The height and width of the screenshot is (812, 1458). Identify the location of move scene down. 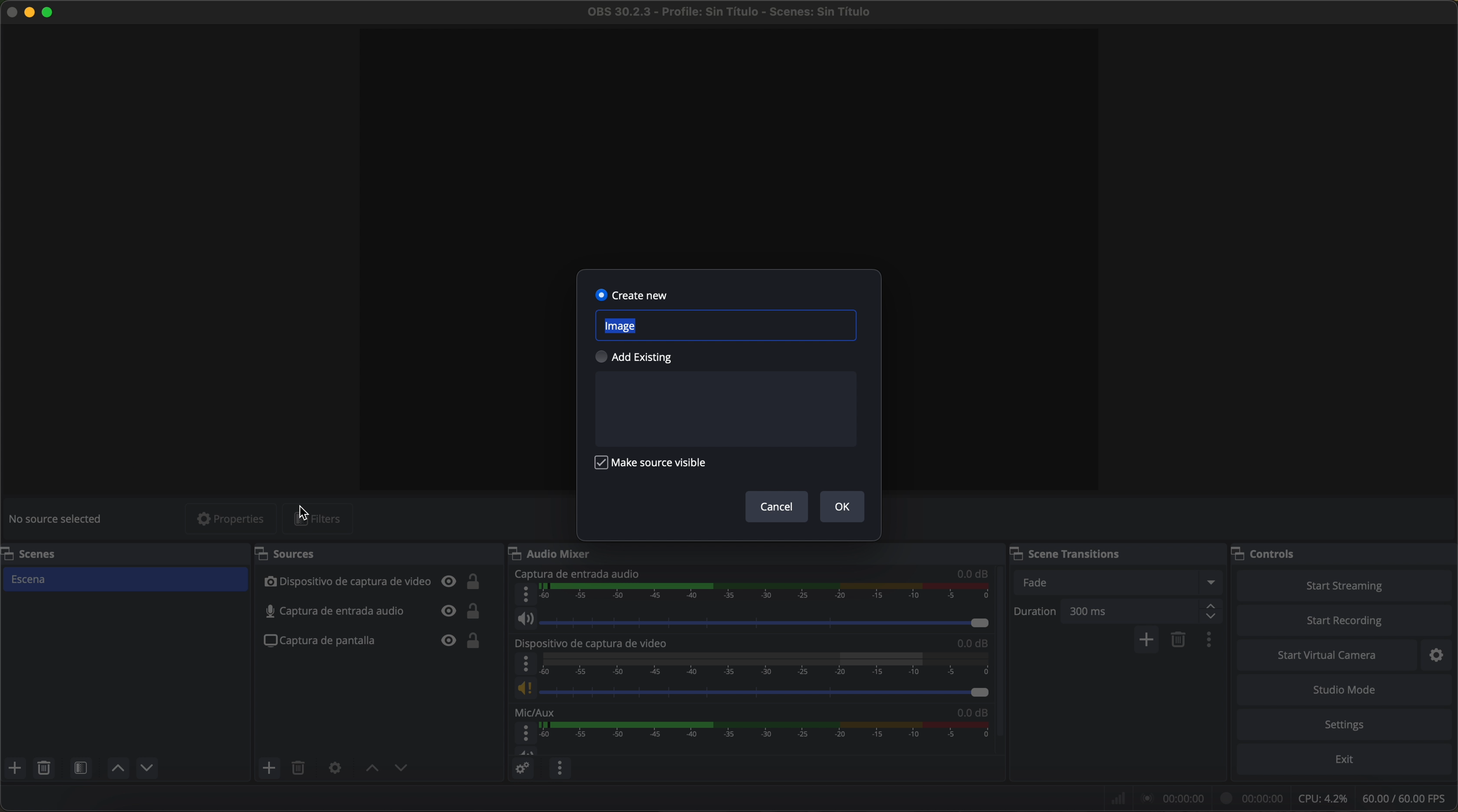
(147, 770).